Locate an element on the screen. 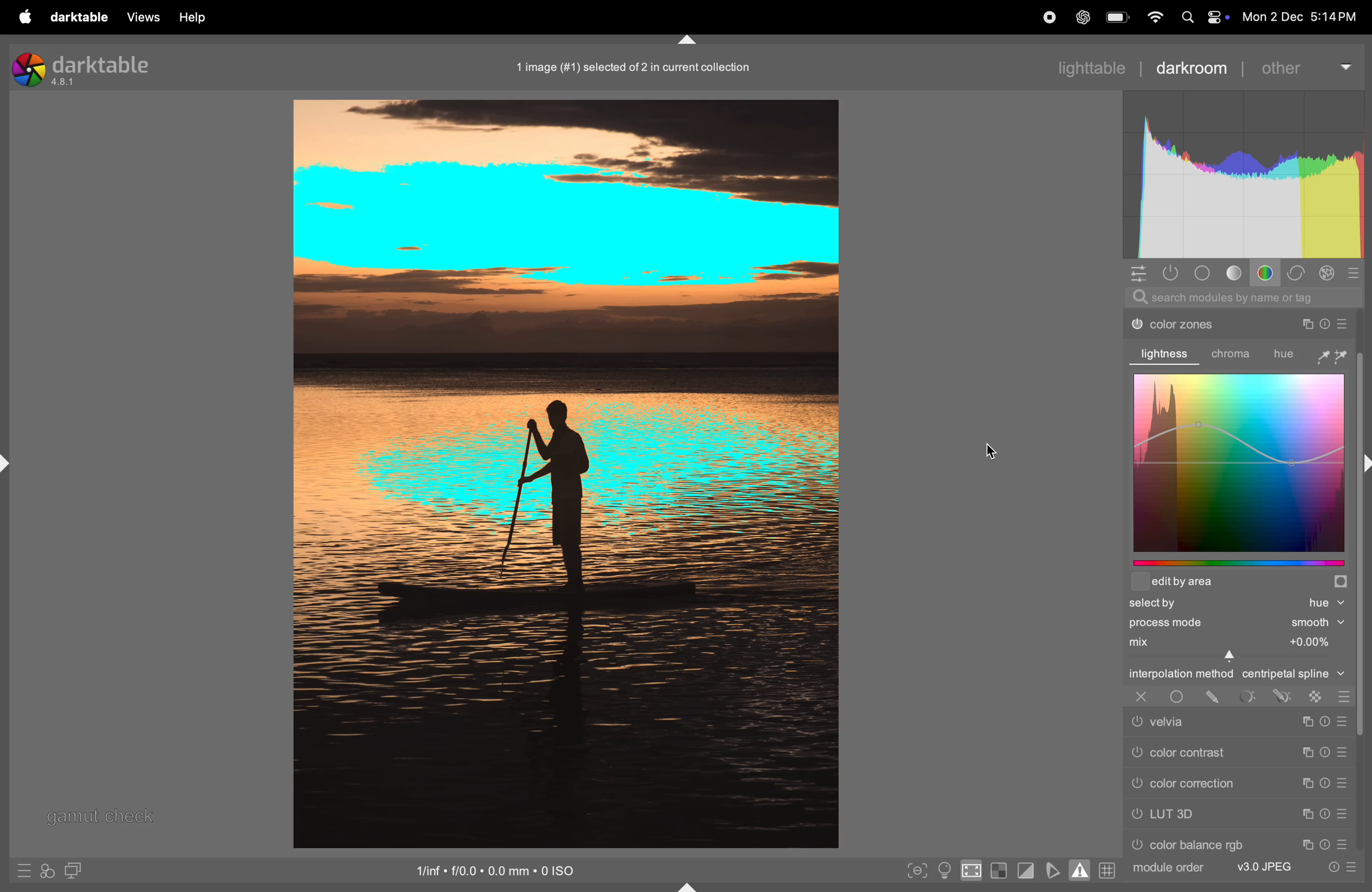 This screenshot has width=1372, height=892. Timer is located at coordinates (1325, 753).